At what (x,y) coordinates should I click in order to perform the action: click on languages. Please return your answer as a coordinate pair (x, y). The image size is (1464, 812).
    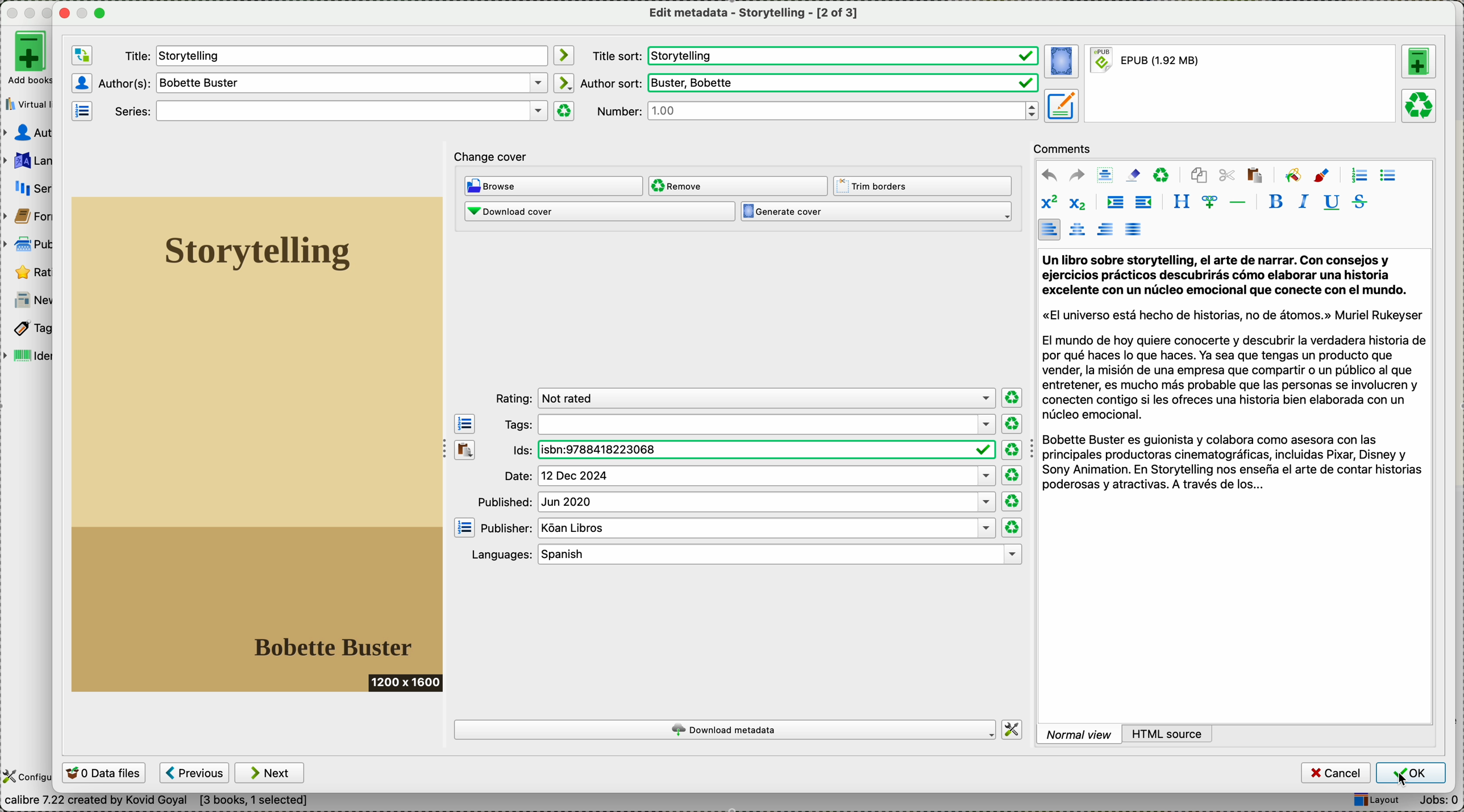
    Looking at the image, I should click on (32, 159).